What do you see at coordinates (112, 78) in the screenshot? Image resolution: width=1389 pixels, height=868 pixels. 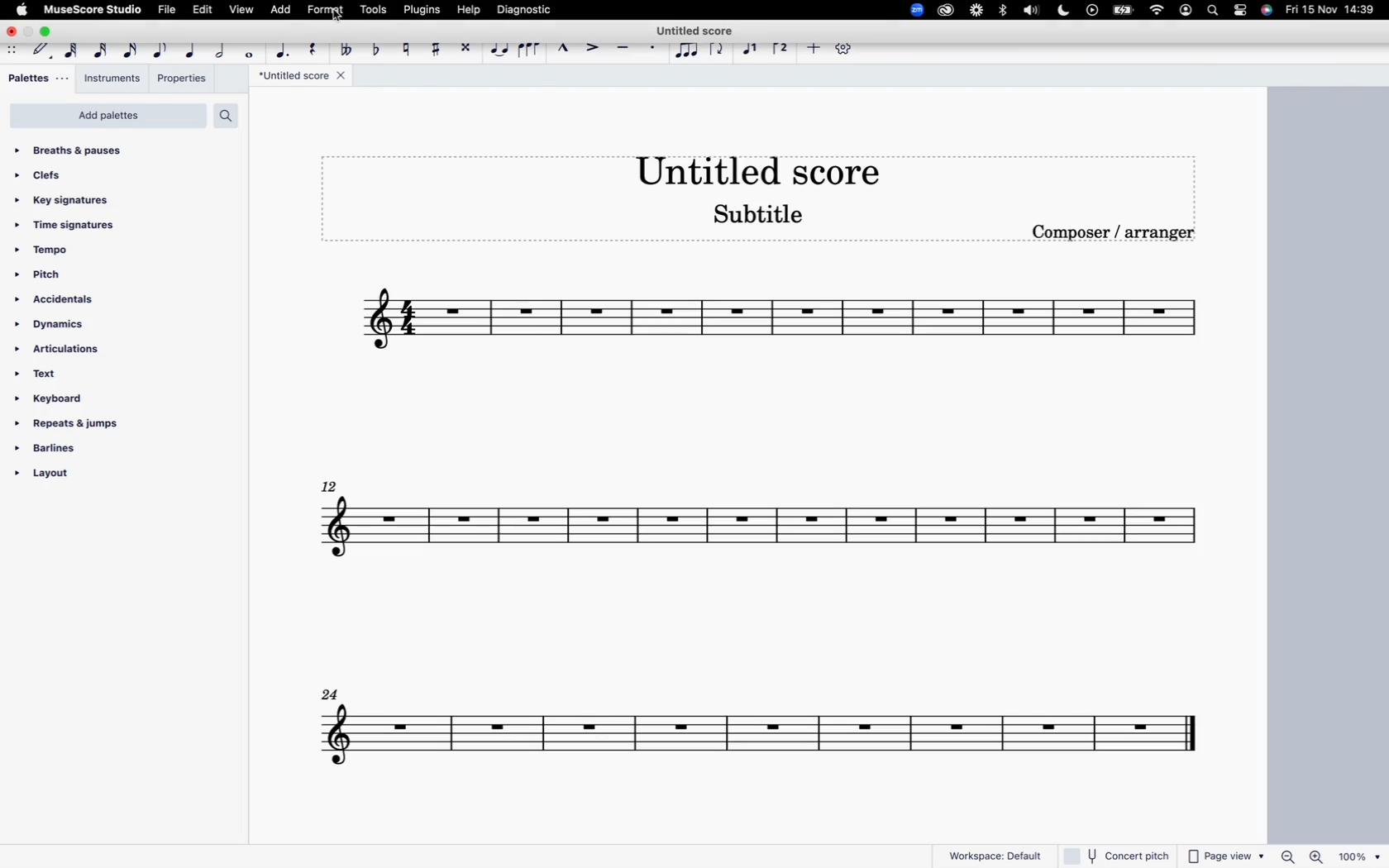 I see `instruments` at bounding box center [112, 78].